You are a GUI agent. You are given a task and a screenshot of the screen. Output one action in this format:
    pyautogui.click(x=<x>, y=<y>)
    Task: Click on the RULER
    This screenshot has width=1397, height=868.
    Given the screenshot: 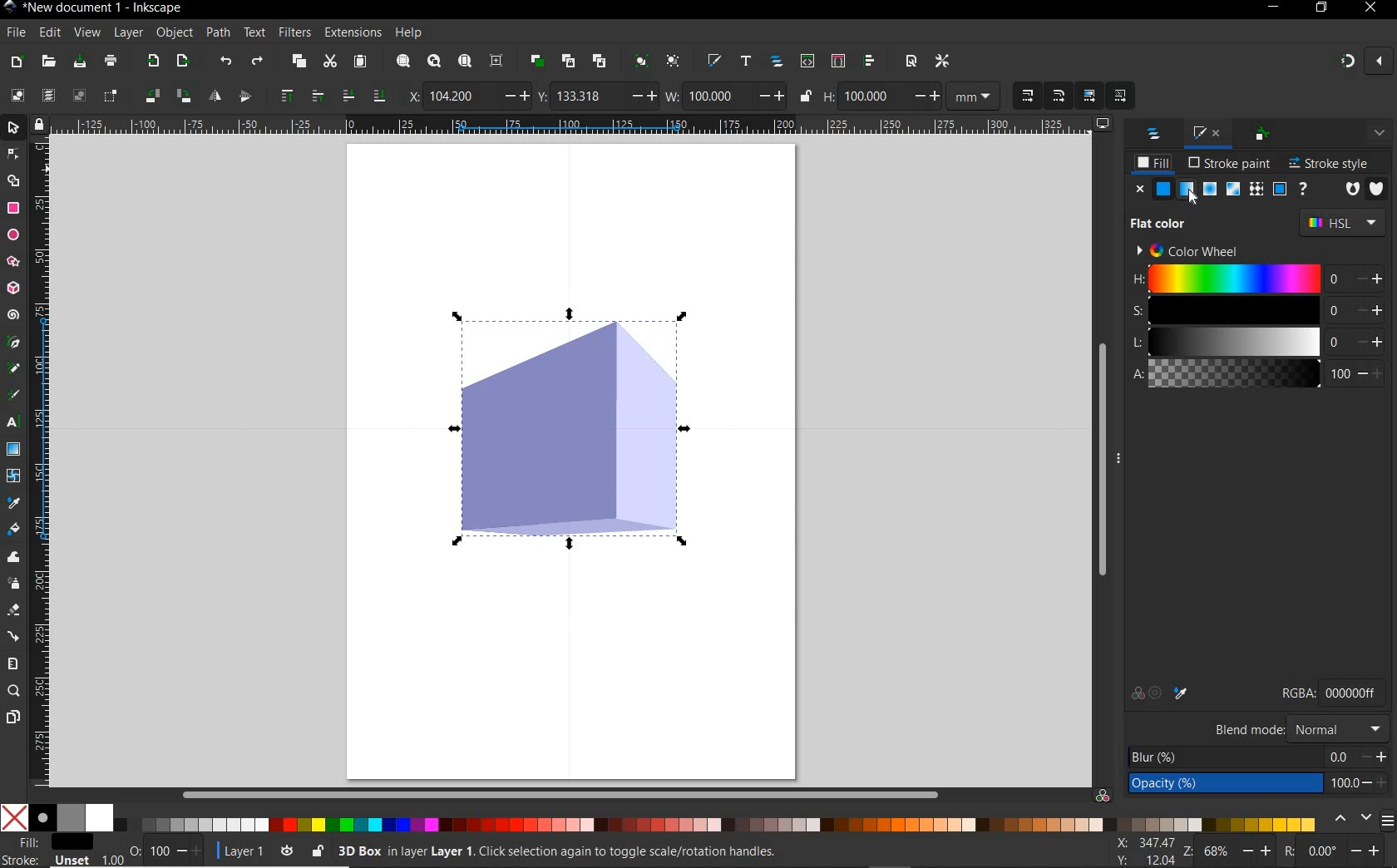 What is the action you would take?
    pyautogui.click(x=570, y=126)
    